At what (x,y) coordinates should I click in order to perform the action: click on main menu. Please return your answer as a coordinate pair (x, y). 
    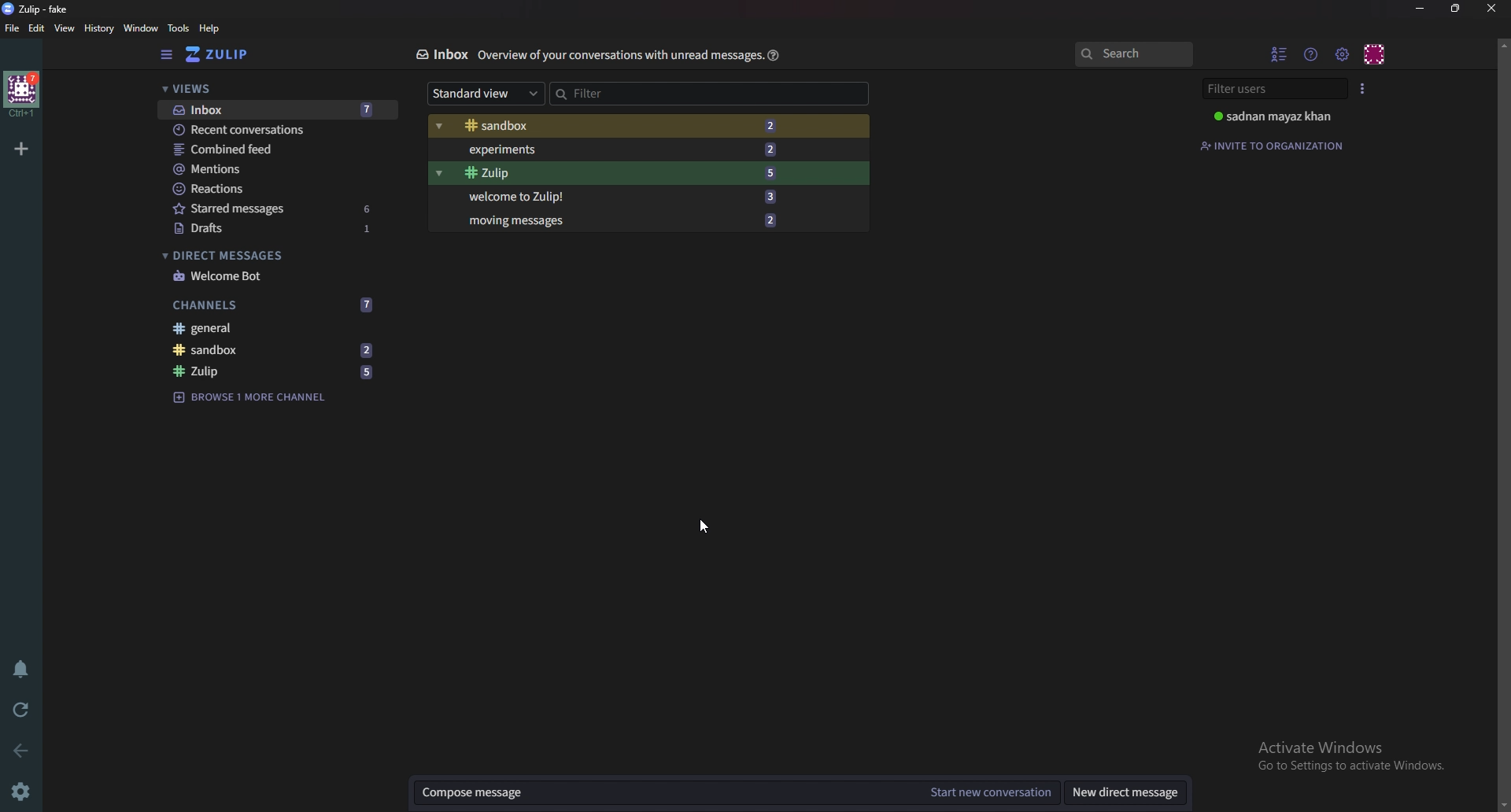
    Looking at the image, I should click on (1344, 55).